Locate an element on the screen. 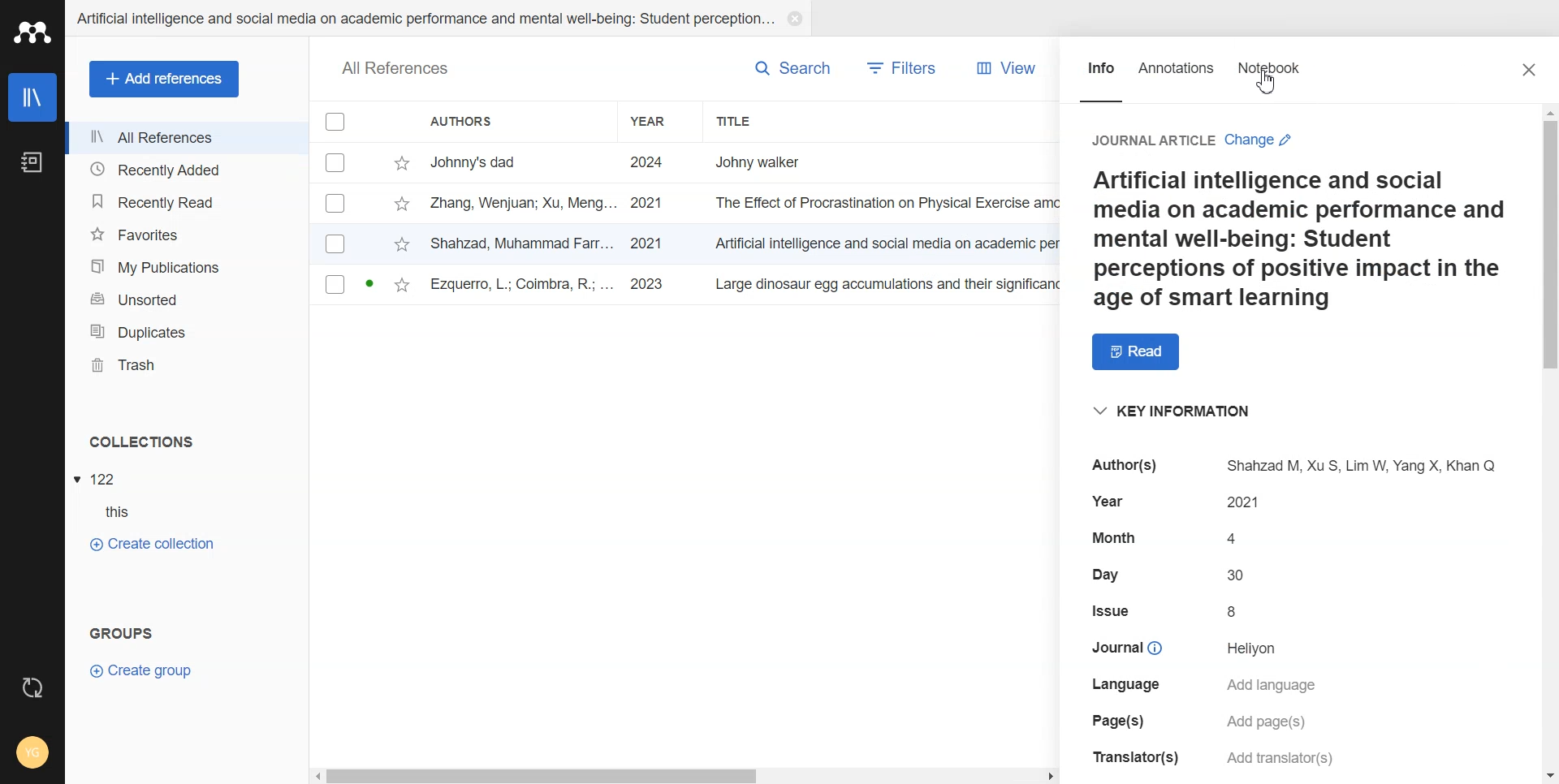  Checkbox is located at coordinates (335, 284).